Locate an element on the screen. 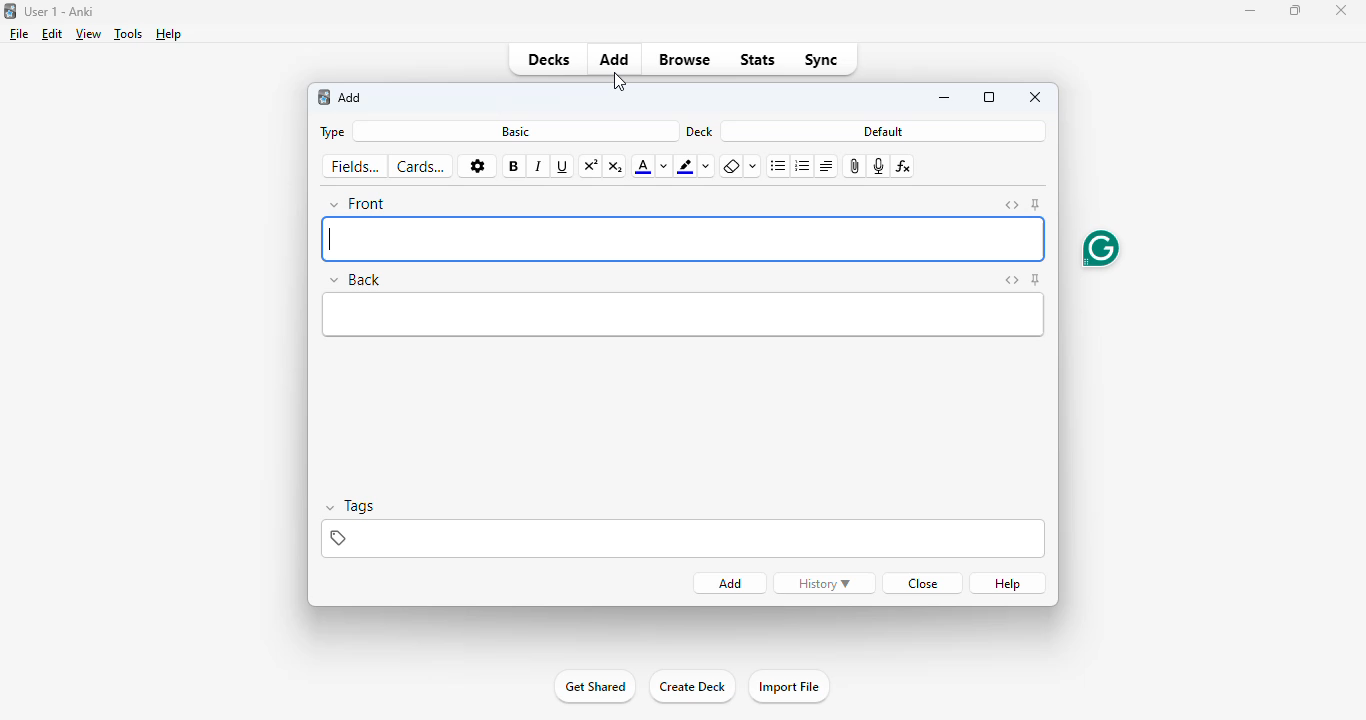 The image size is (1366, 720). toggle sticky is located at coordinates (1036, 205).